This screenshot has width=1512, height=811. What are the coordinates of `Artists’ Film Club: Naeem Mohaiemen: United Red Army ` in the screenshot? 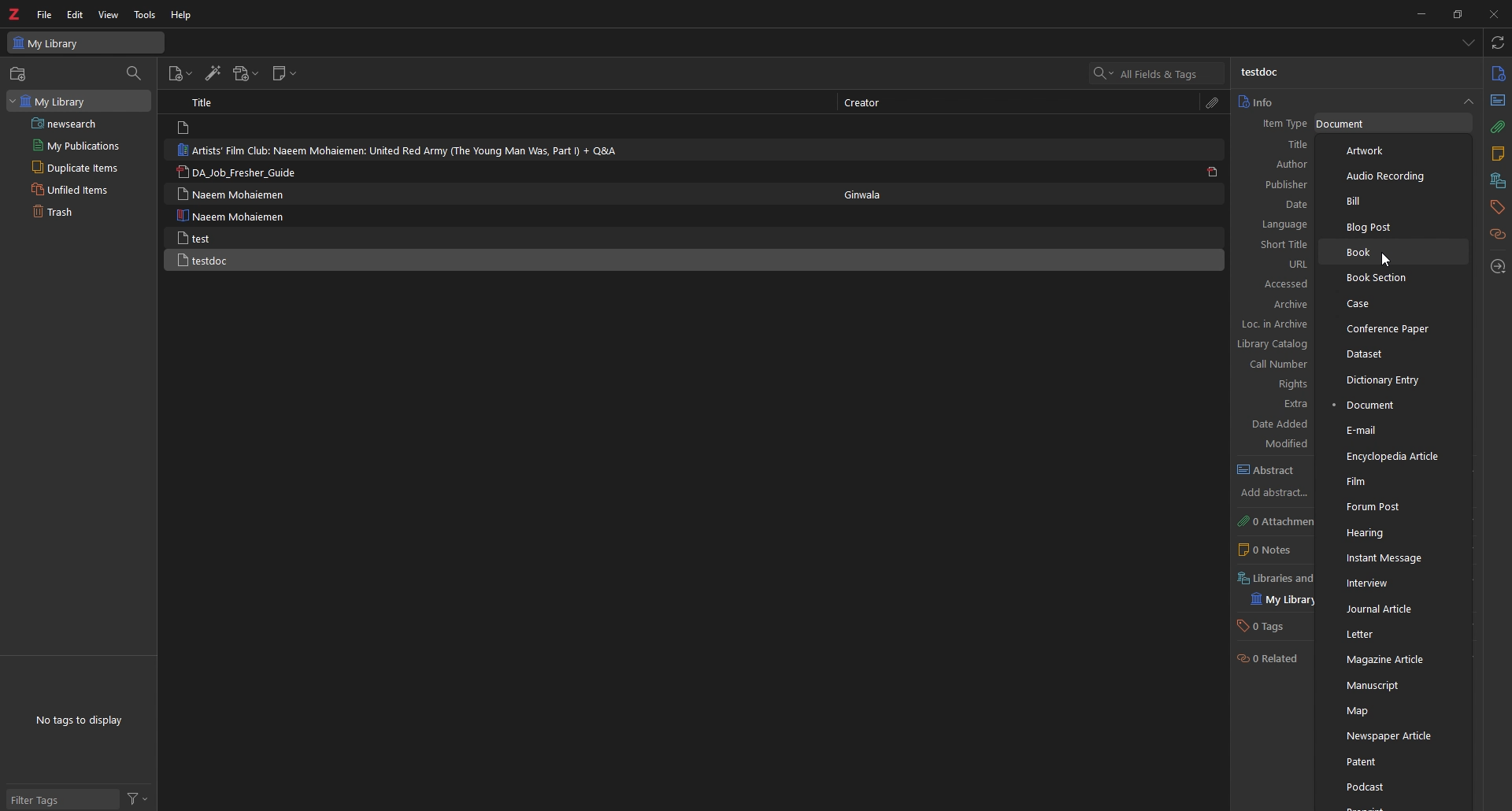 It's located at (398, 150).